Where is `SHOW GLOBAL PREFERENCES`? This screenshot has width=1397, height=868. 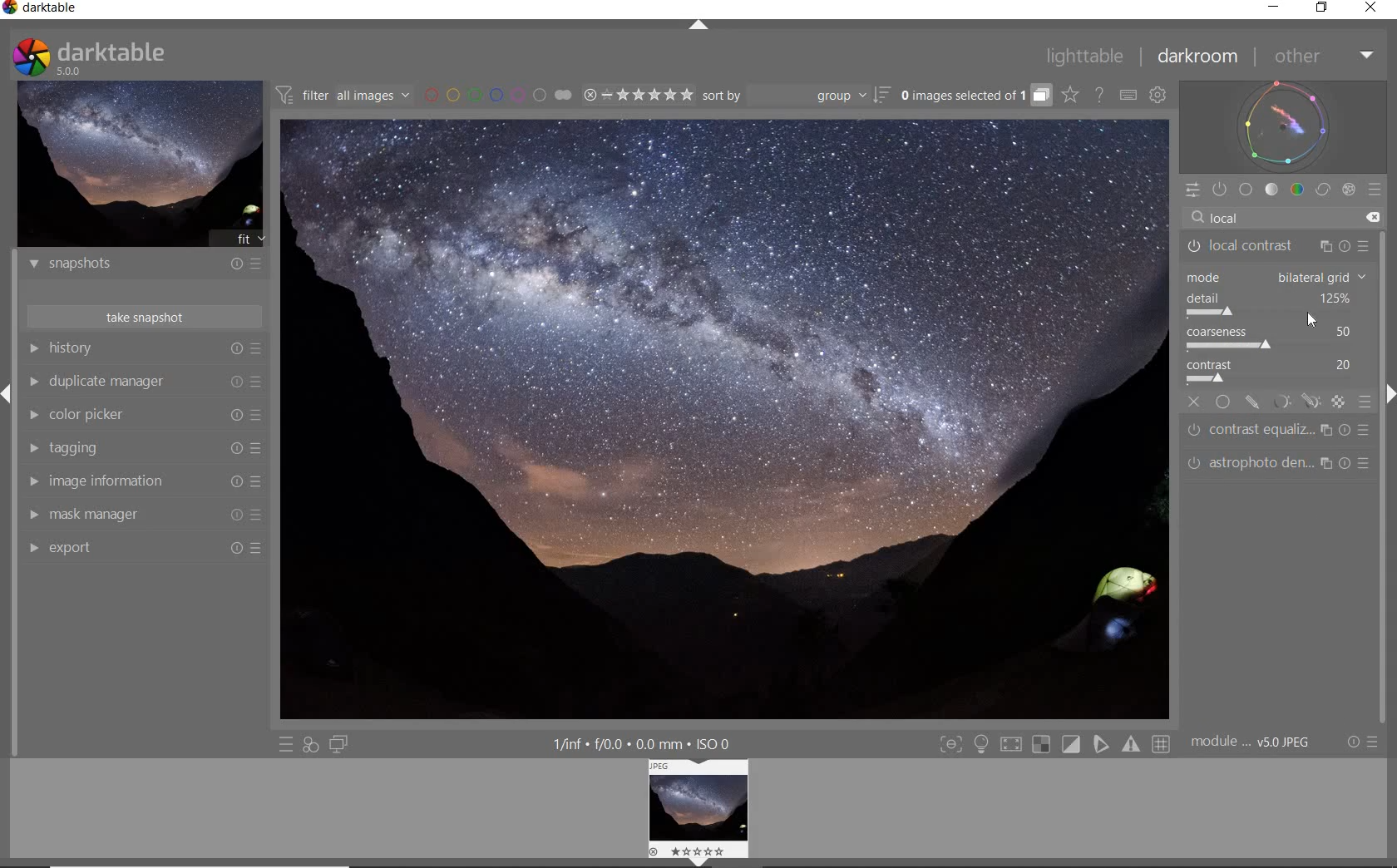 SHOW GLOBAL PREFERENCES is located at coordinates (1157, 94).